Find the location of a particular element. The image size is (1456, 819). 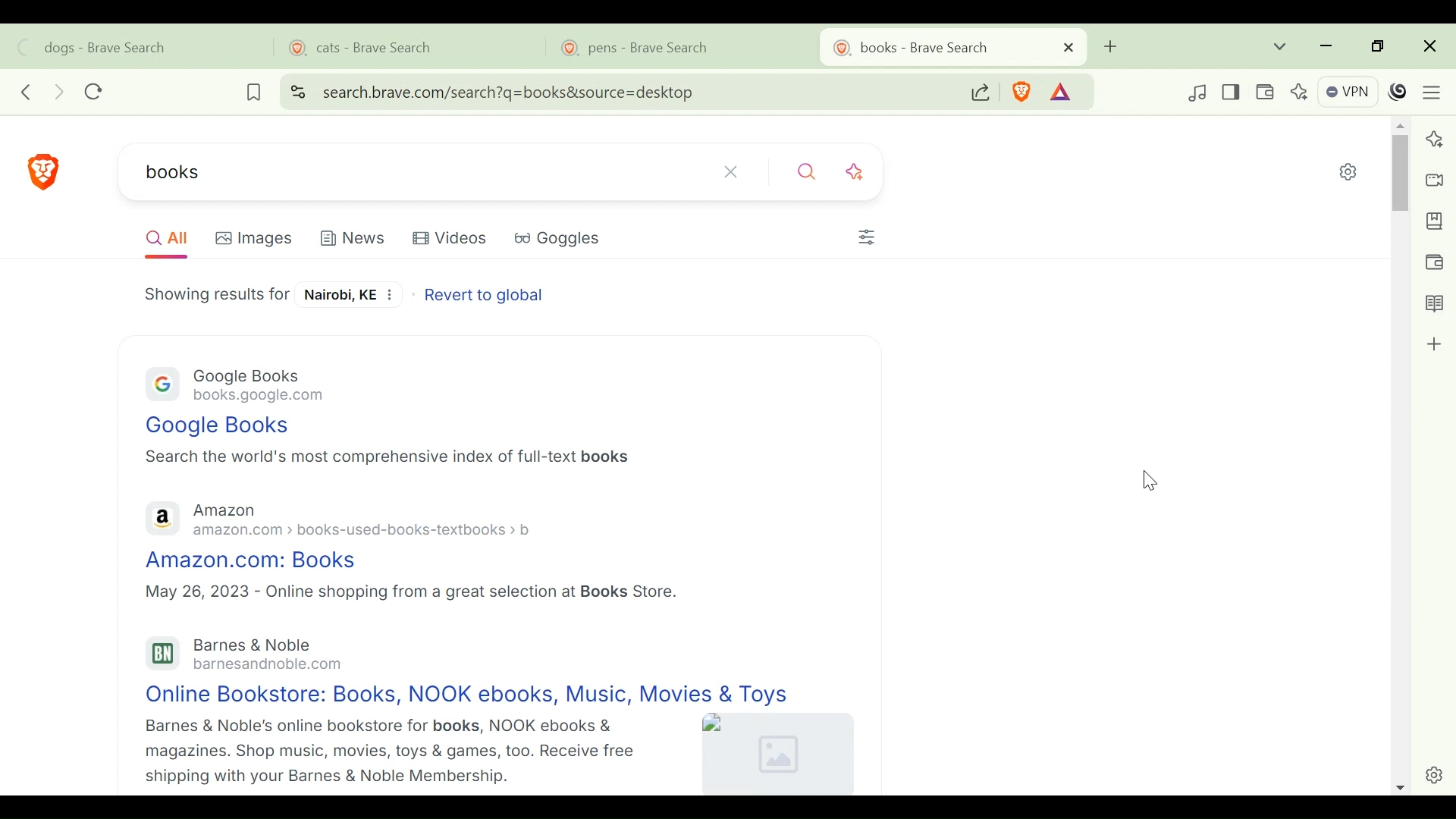

Customize and control Brave is located at coordinates (1432, 89).